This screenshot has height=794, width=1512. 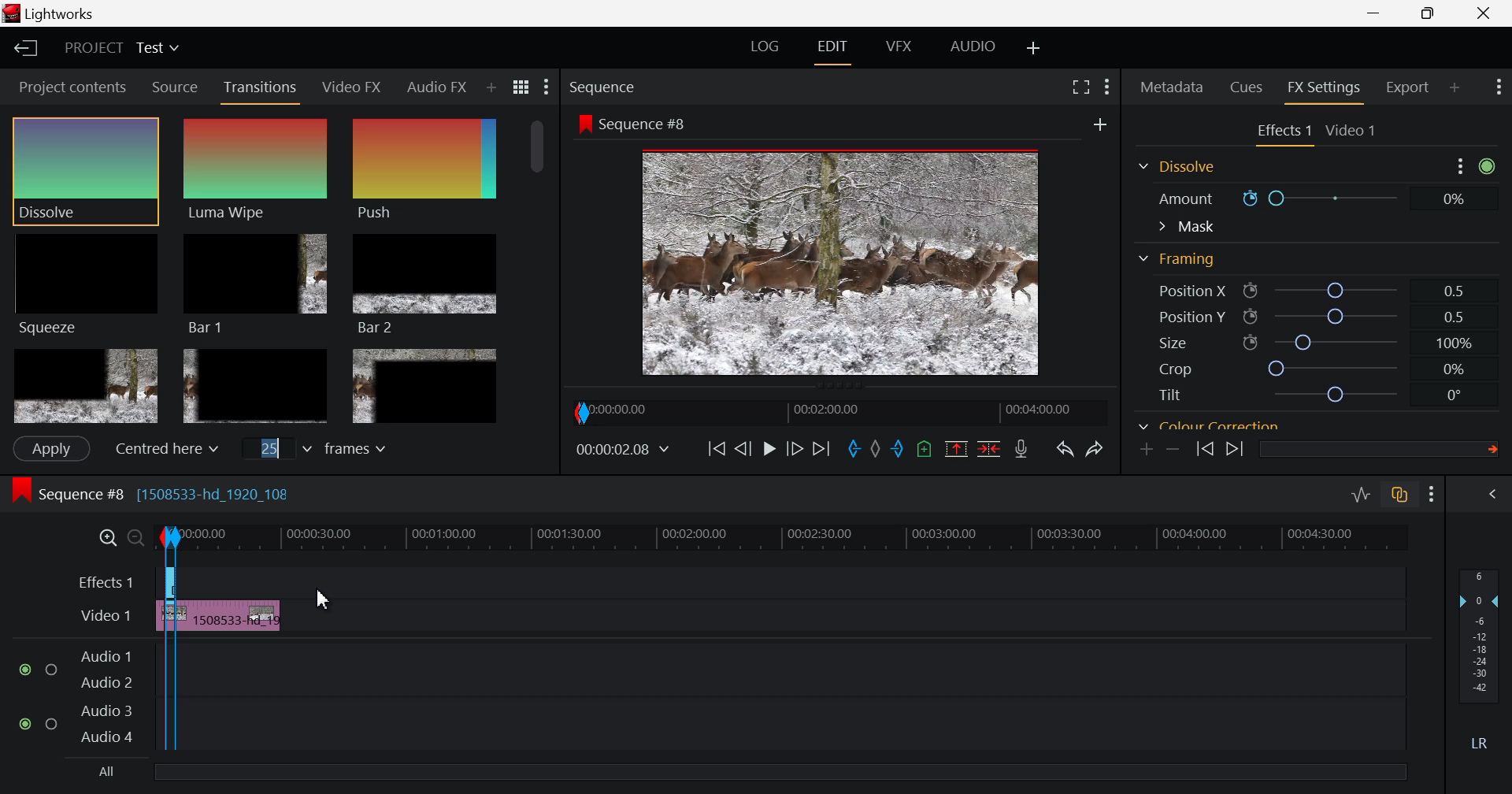 What do you see at coordinates (424, 386) in the screenshot?
I see `Box 6` at bounding box center [424, 386].